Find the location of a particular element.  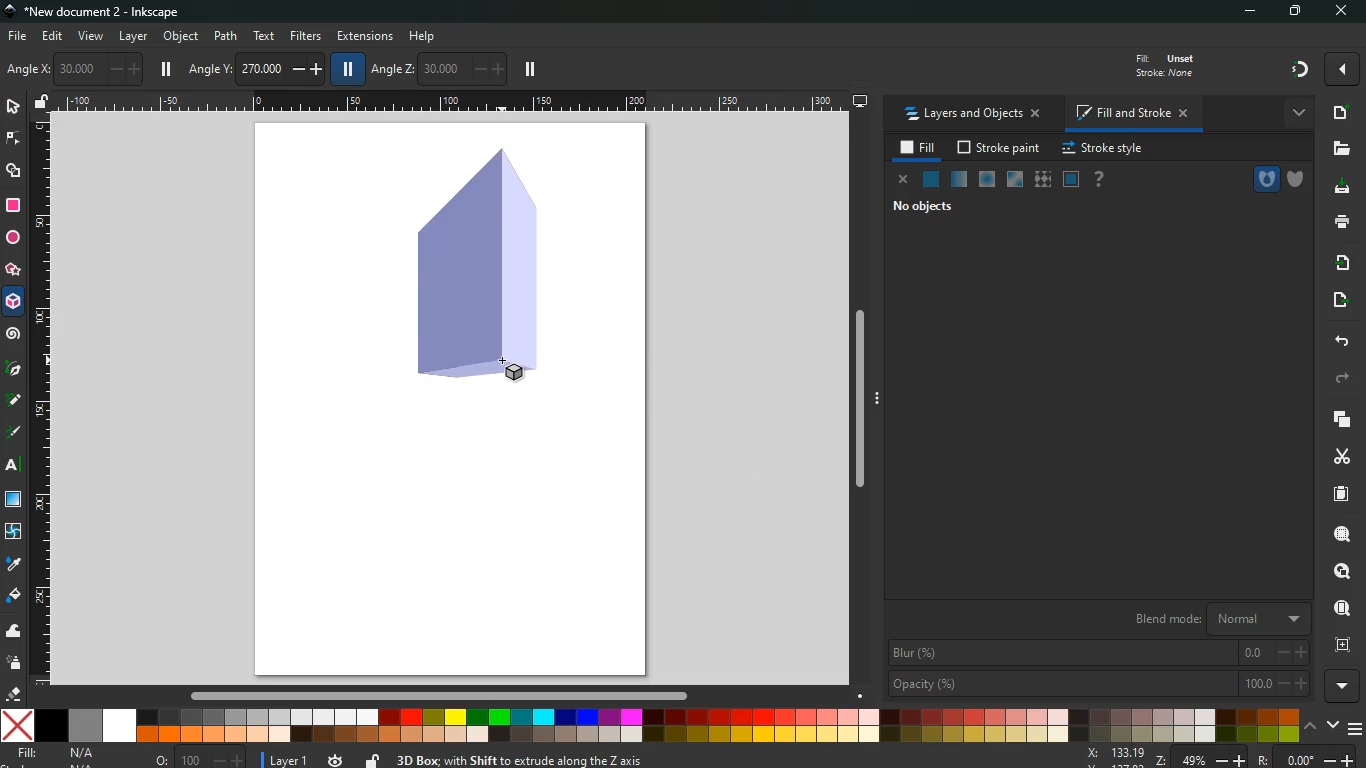

cancel is located at coordinates (900, 180).